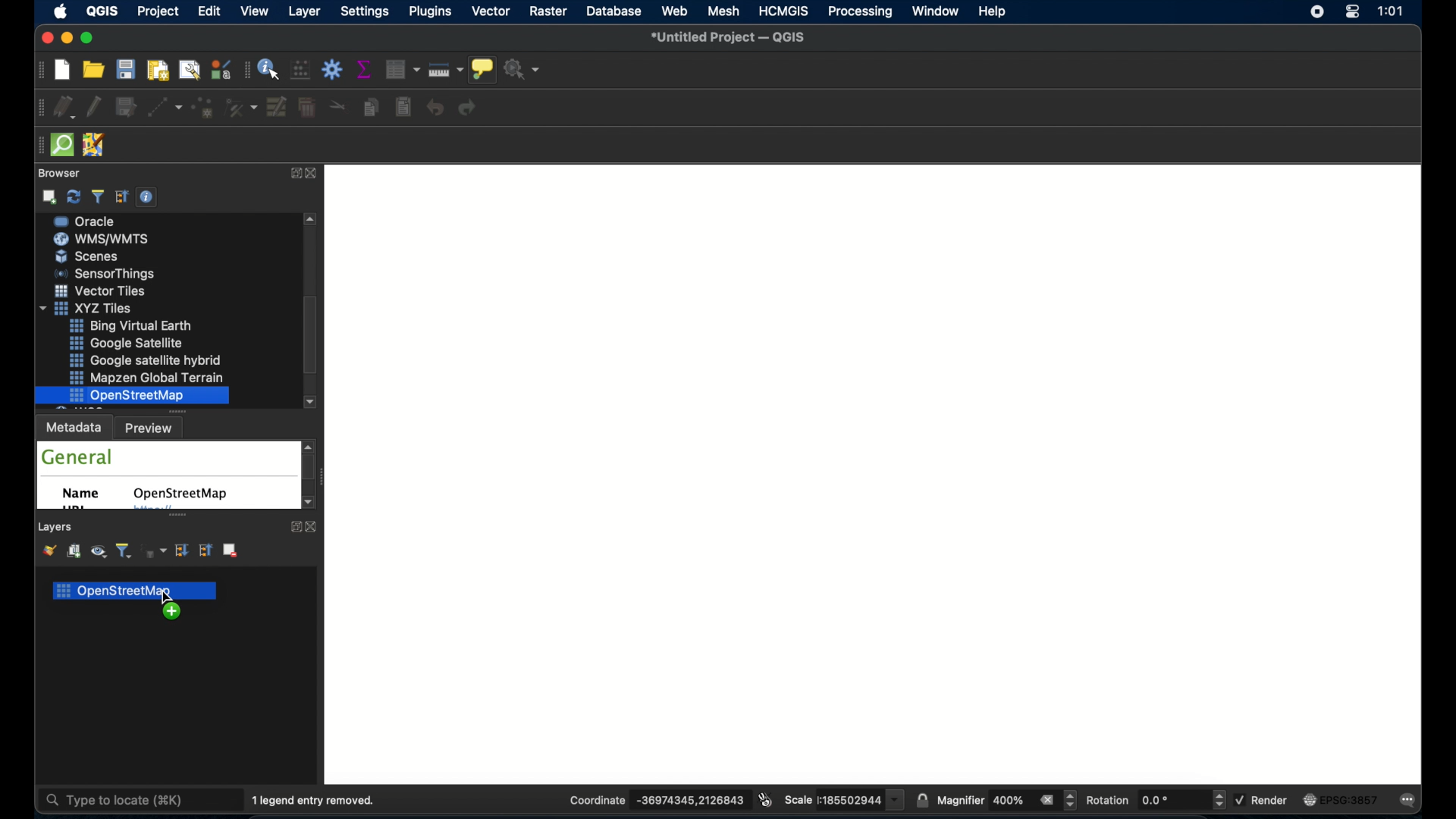 This screenshot has height=819, width=1456. What do you see at coordinates (106, 238) in the screenshot?
I see `sap hana` at bounding box center [106, 238].